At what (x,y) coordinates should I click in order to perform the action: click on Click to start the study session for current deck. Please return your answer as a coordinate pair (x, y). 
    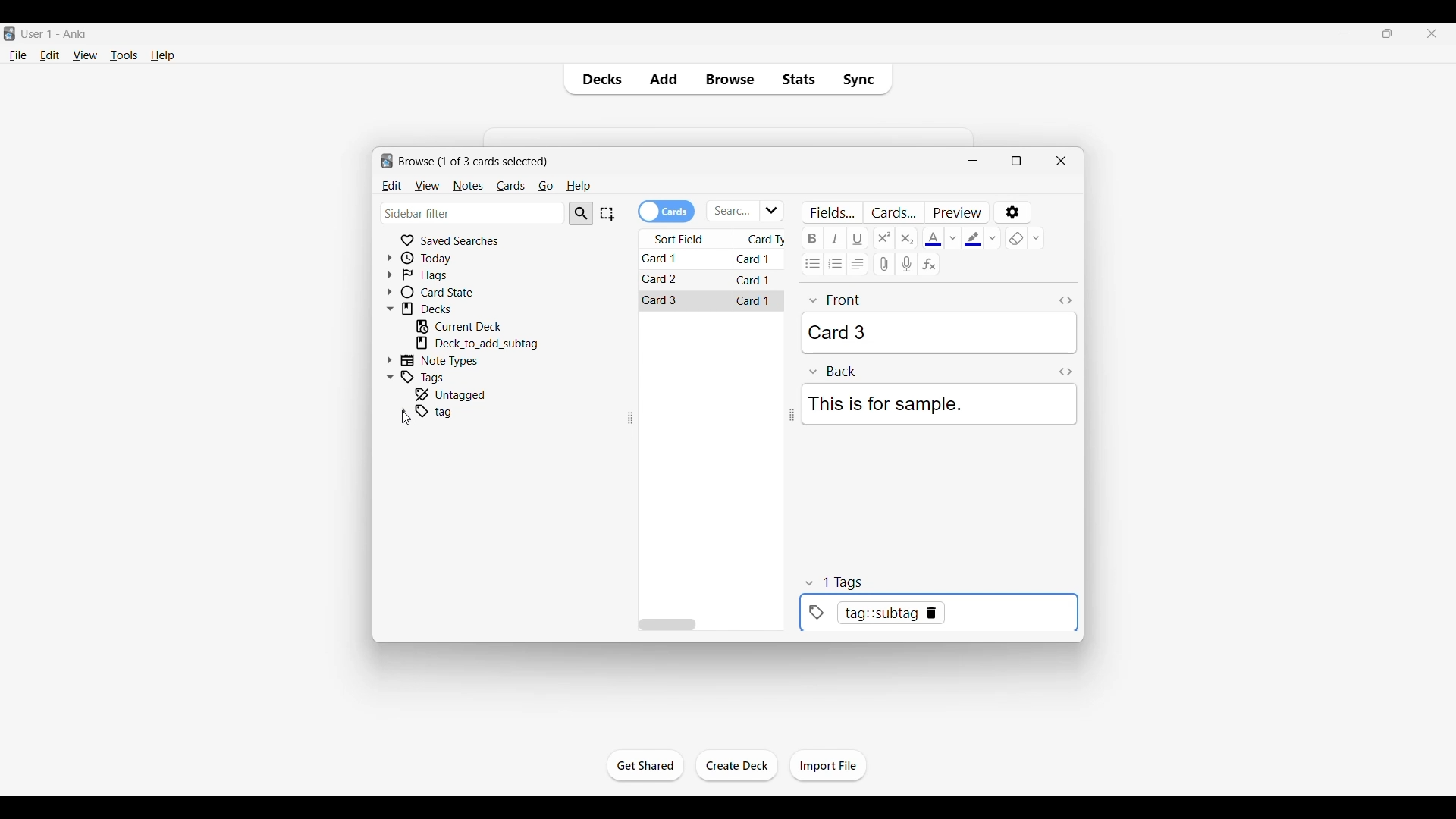
    Looking at the image, I should click on (645, 766).